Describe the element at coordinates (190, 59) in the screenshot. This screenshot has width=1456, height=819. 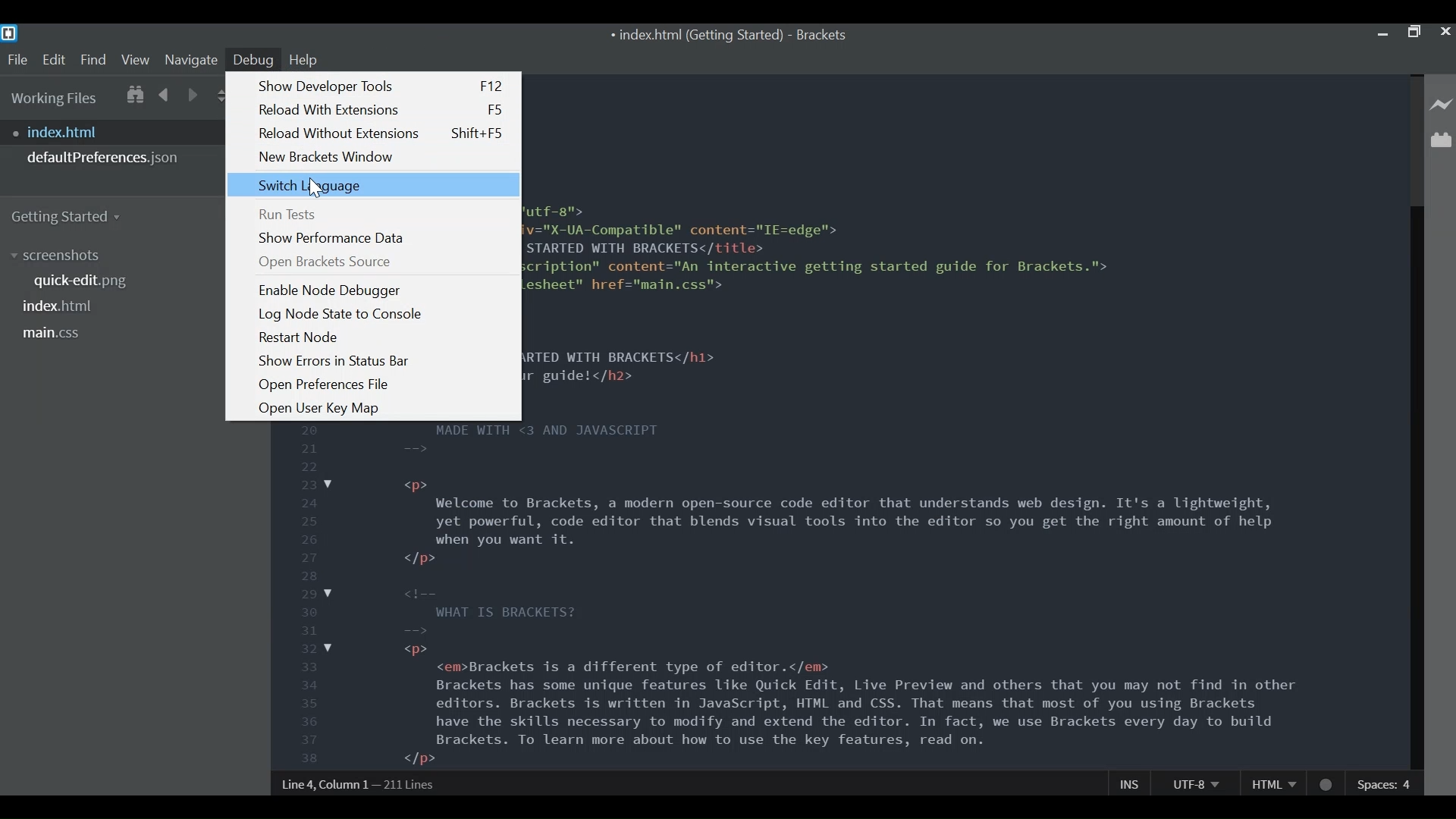
I see `Navigate` at that location.